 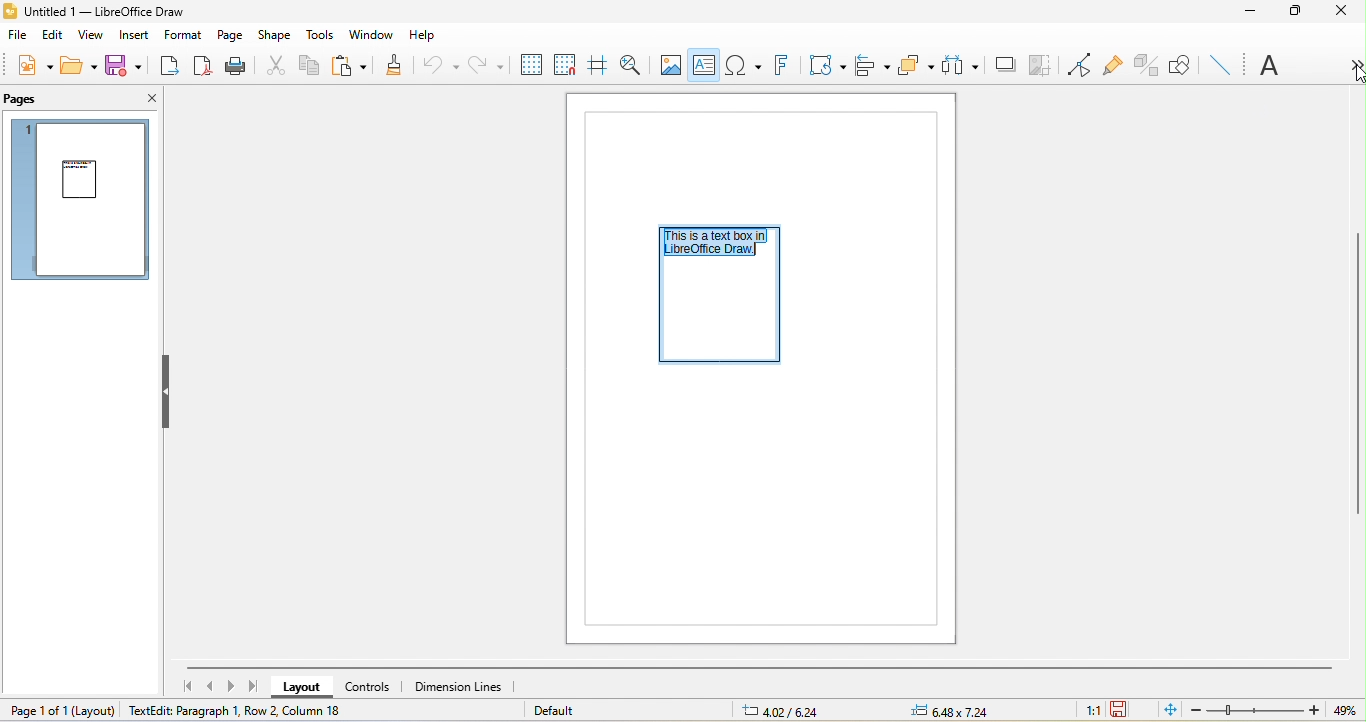 What do you see at coordinates (183, 37) in the screenshot?
I see `format` at bounding box center [183, 37].